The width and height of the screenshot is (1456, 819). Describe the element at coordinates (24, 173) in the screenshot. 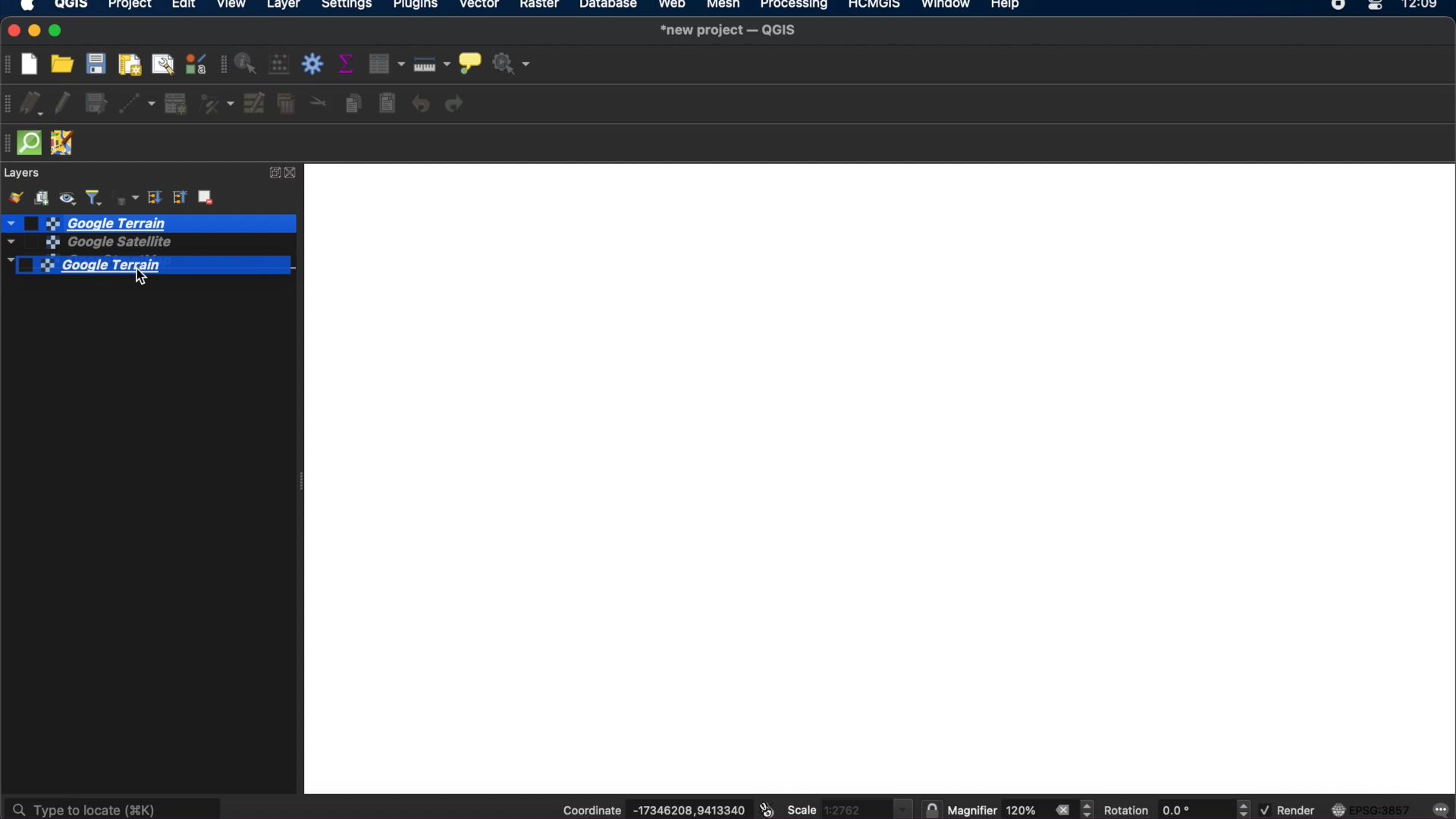

I see `layers` at that location.